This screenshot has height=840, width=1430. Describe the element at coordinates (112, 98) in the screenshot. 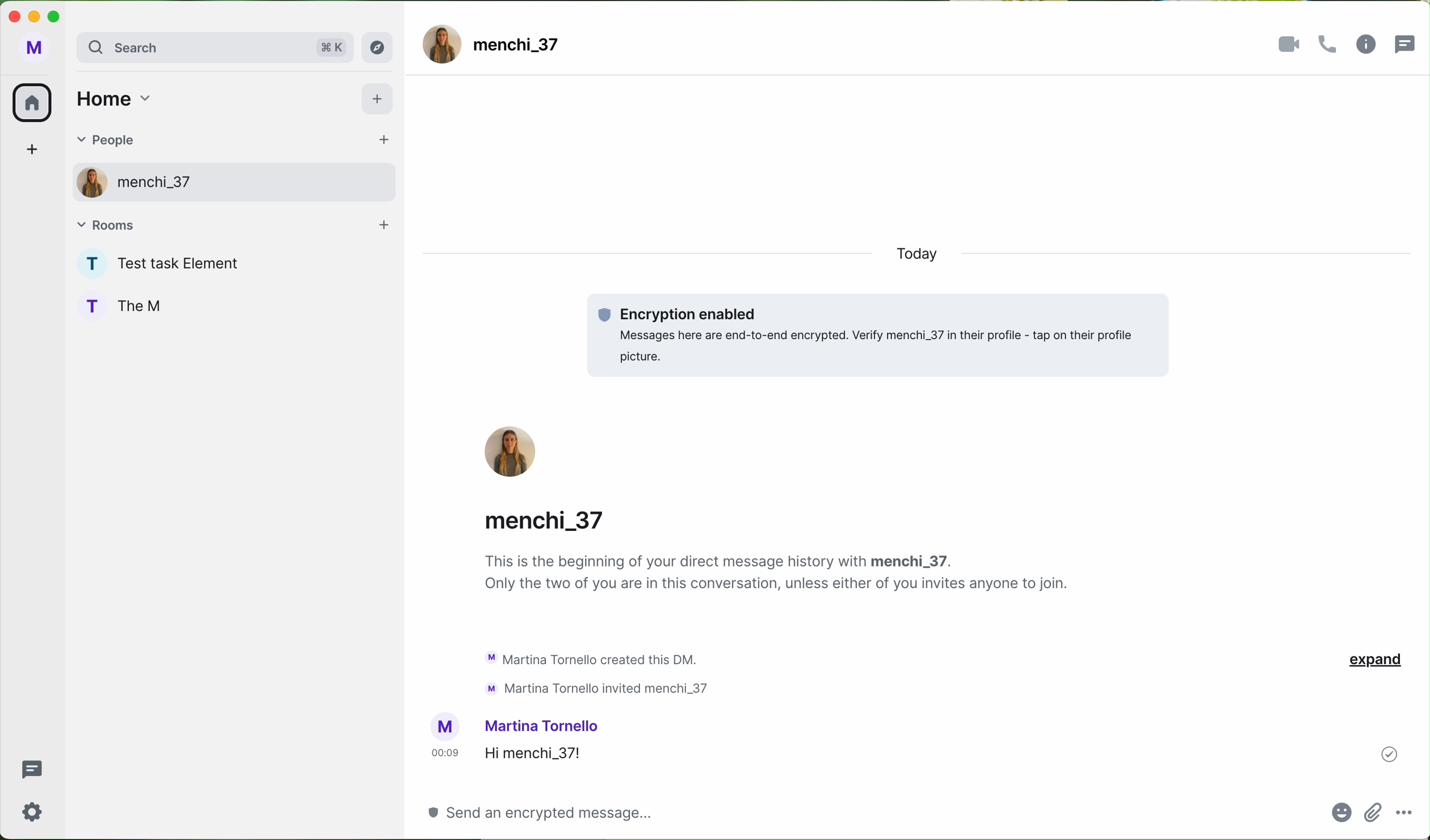

I see `home` at that location.